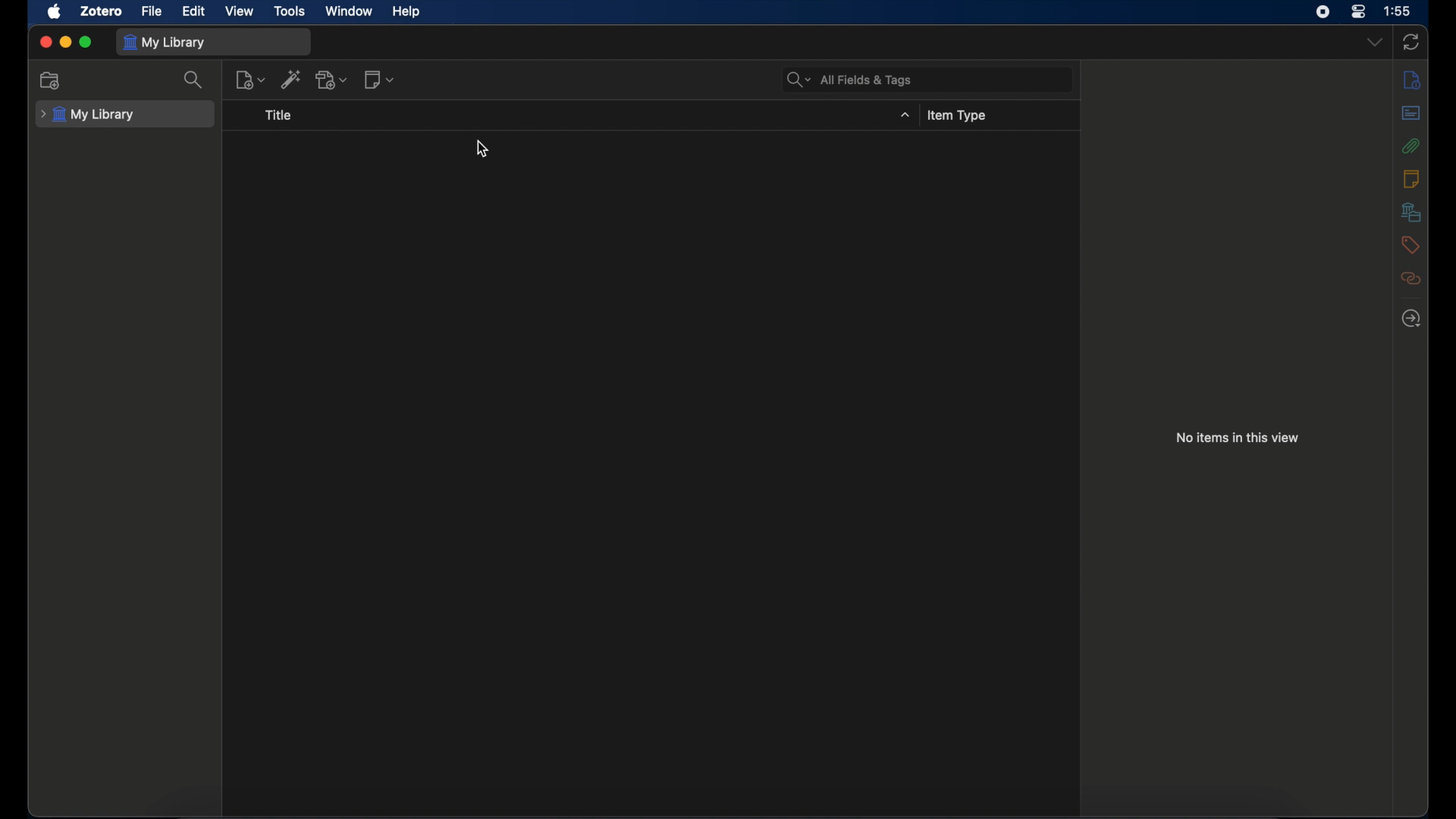  What do you see at coordinates (332, 79) in the screenshot?
I see `add attachments` at bounding box center [332, 79].